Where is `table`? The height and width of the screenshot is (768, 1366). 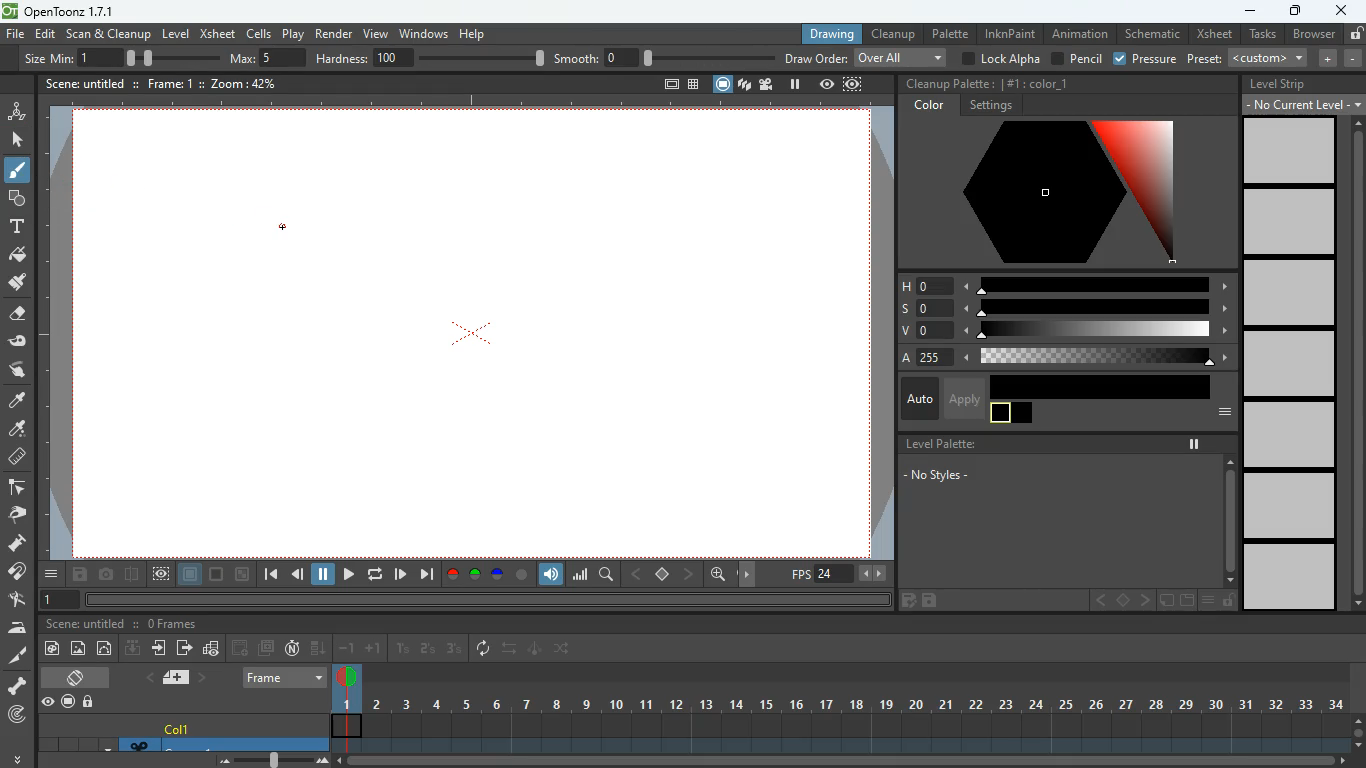 table is located at coordinates (694, 86).